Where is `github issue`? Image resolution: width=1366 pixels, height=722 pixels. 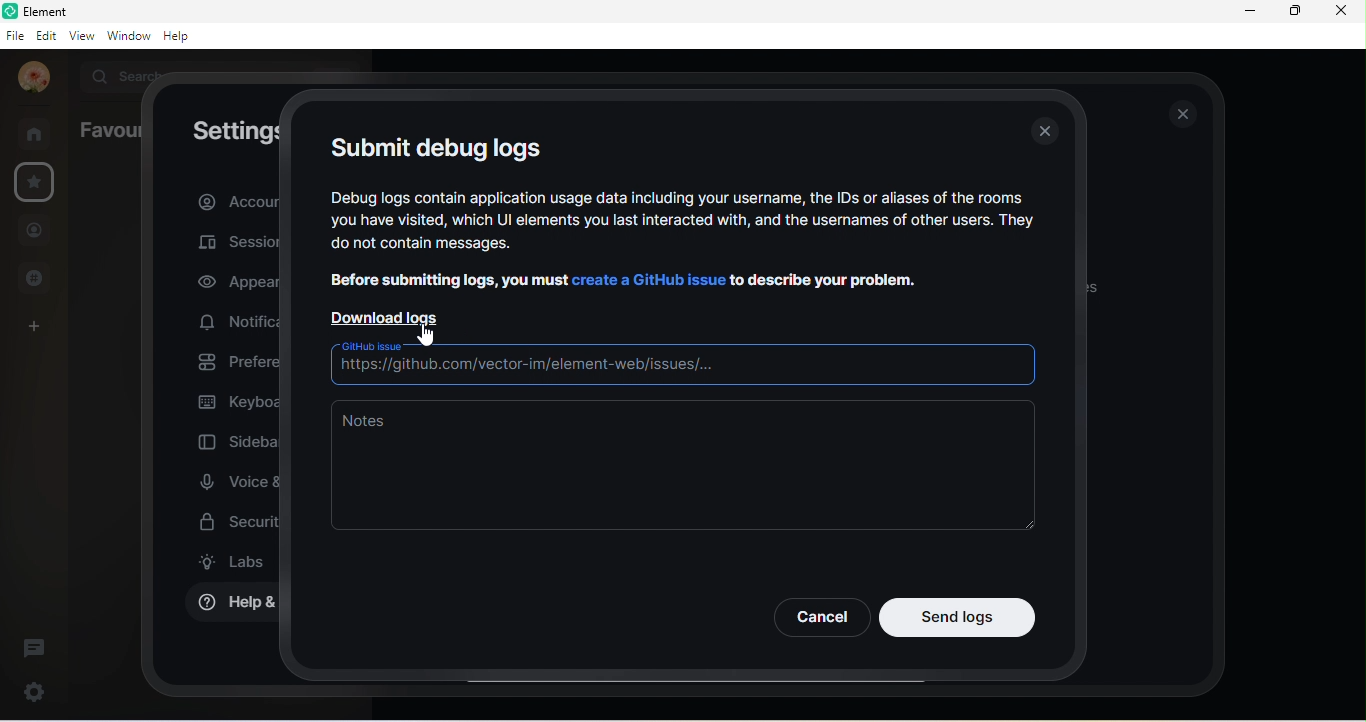 github issue is located at coordinates (369, 347).